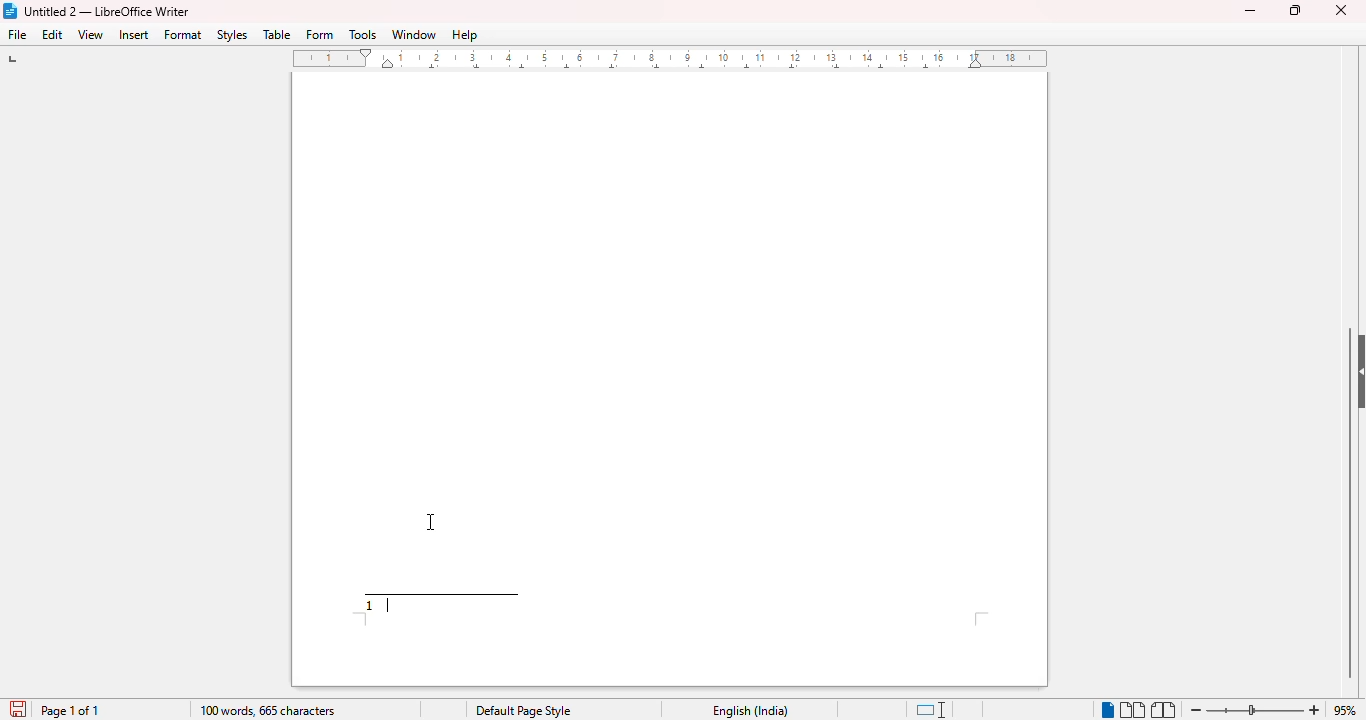  What do you see at coordinates (183, 34) in the screenshot?
I see `format` at bounding box center [183, 34].